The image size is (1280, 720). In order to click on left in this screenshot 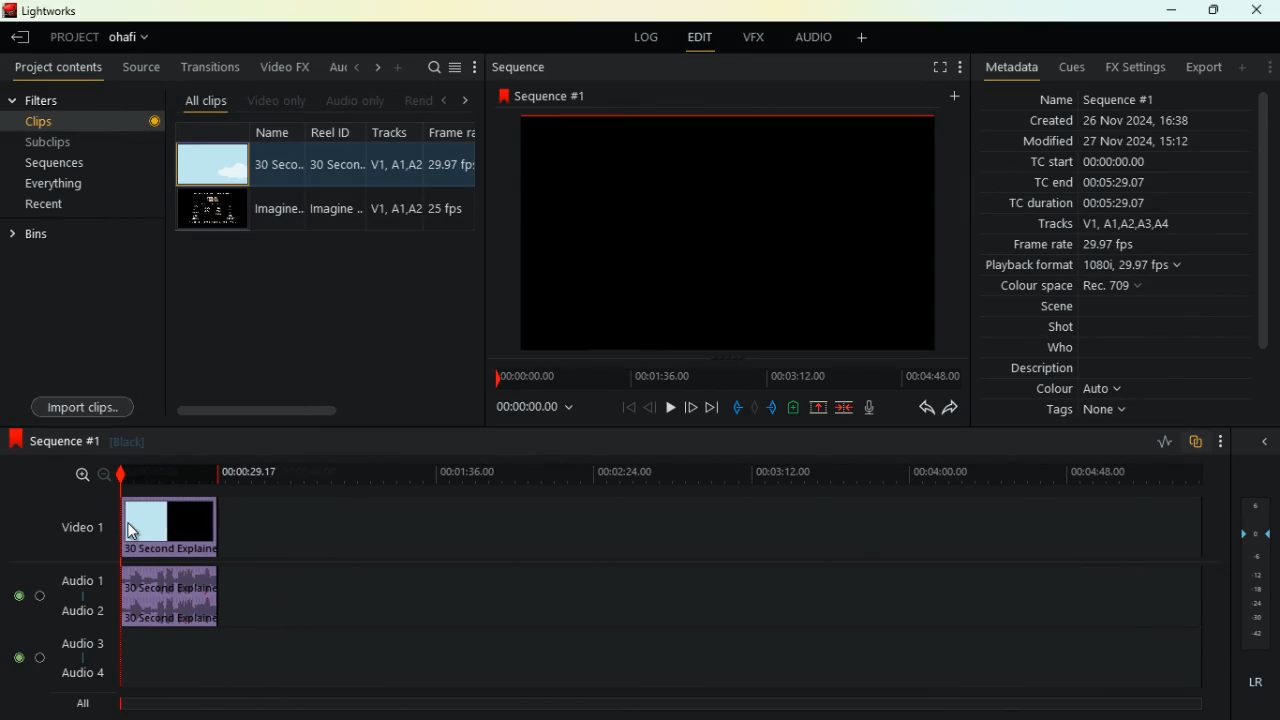, I will do `click(445, 100)`.